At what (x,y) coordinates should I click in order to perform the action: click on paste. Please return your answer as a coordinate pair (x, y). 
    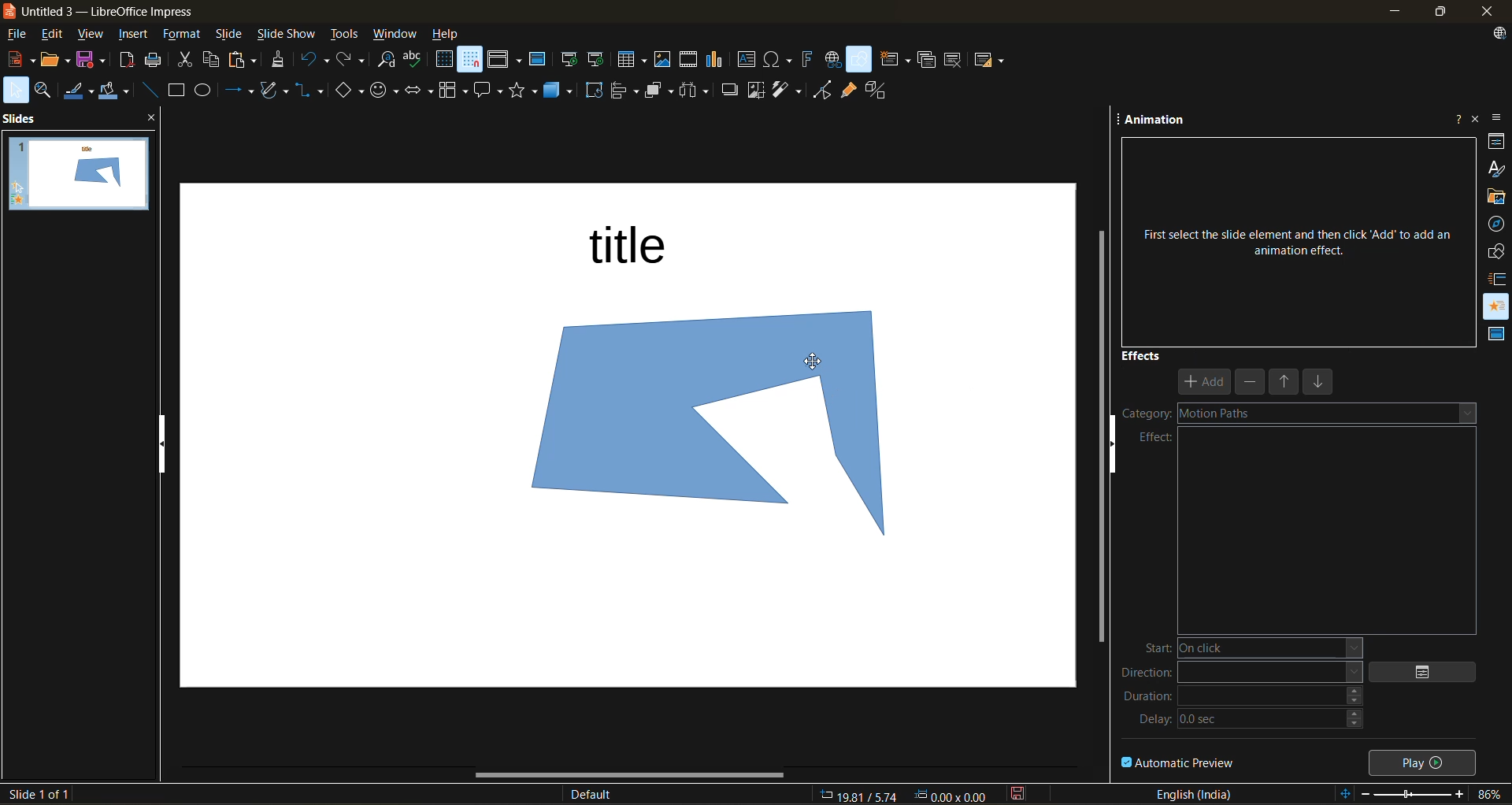
    Looking at the image, I should click on (244, 59).